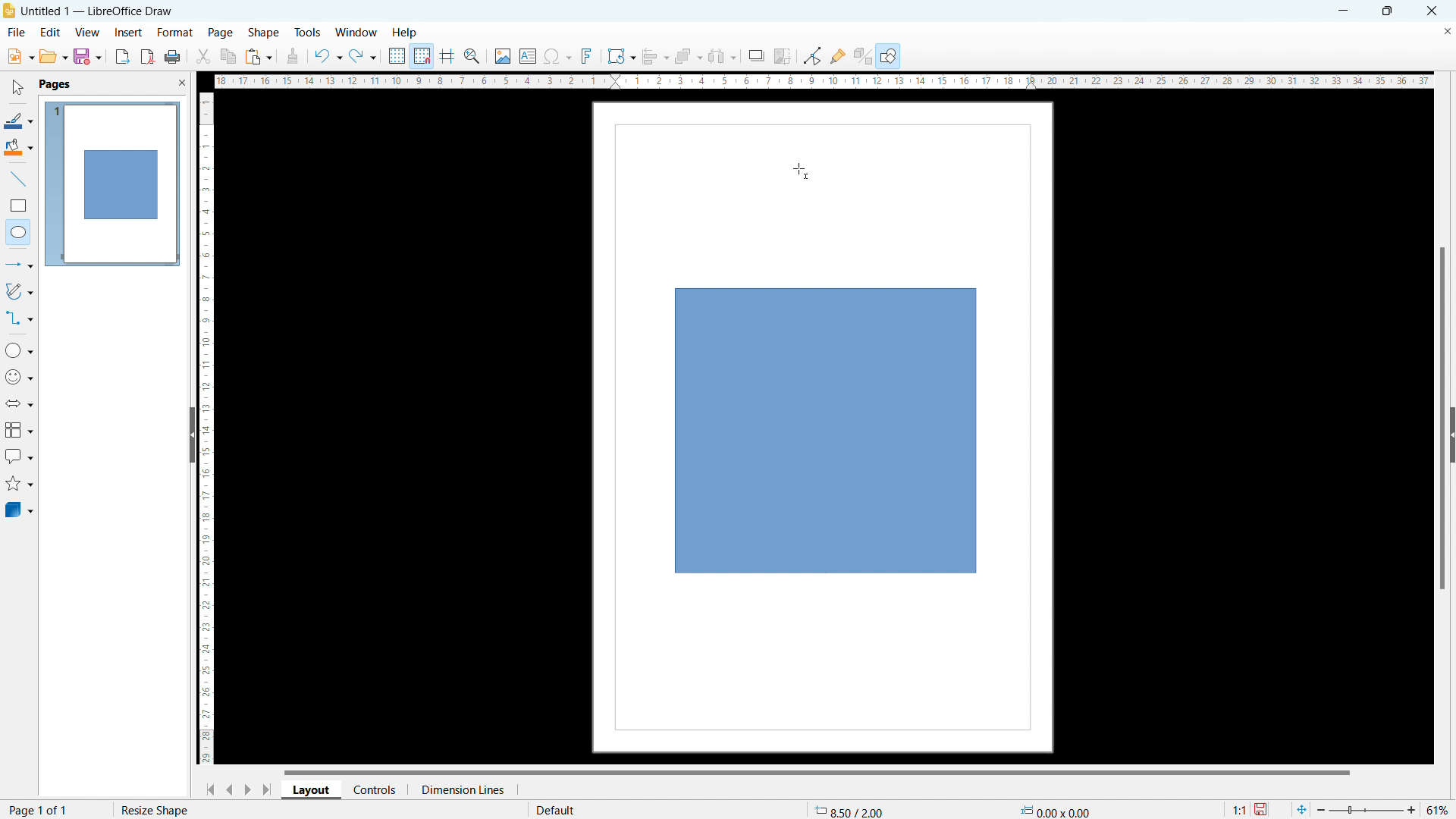 The width and height of the screenshot is (1456, 819). What do you see at coordinates (447, 57) in the screenshot?
I see `guidelines while moving` at bounding box center [447, 57].